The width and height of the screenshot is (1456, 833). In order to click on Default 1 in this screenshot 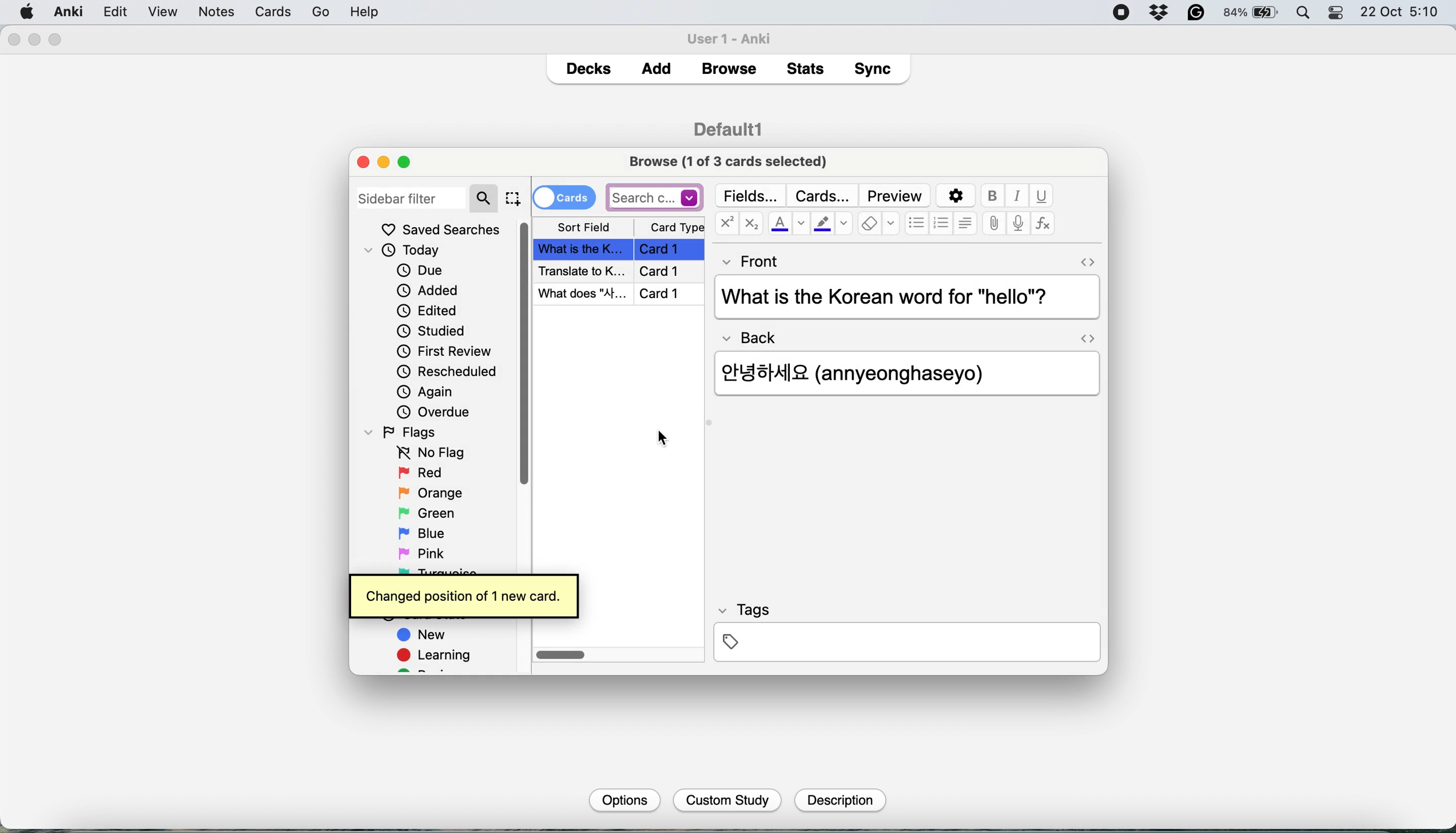, I will do `click(728, 128)`.